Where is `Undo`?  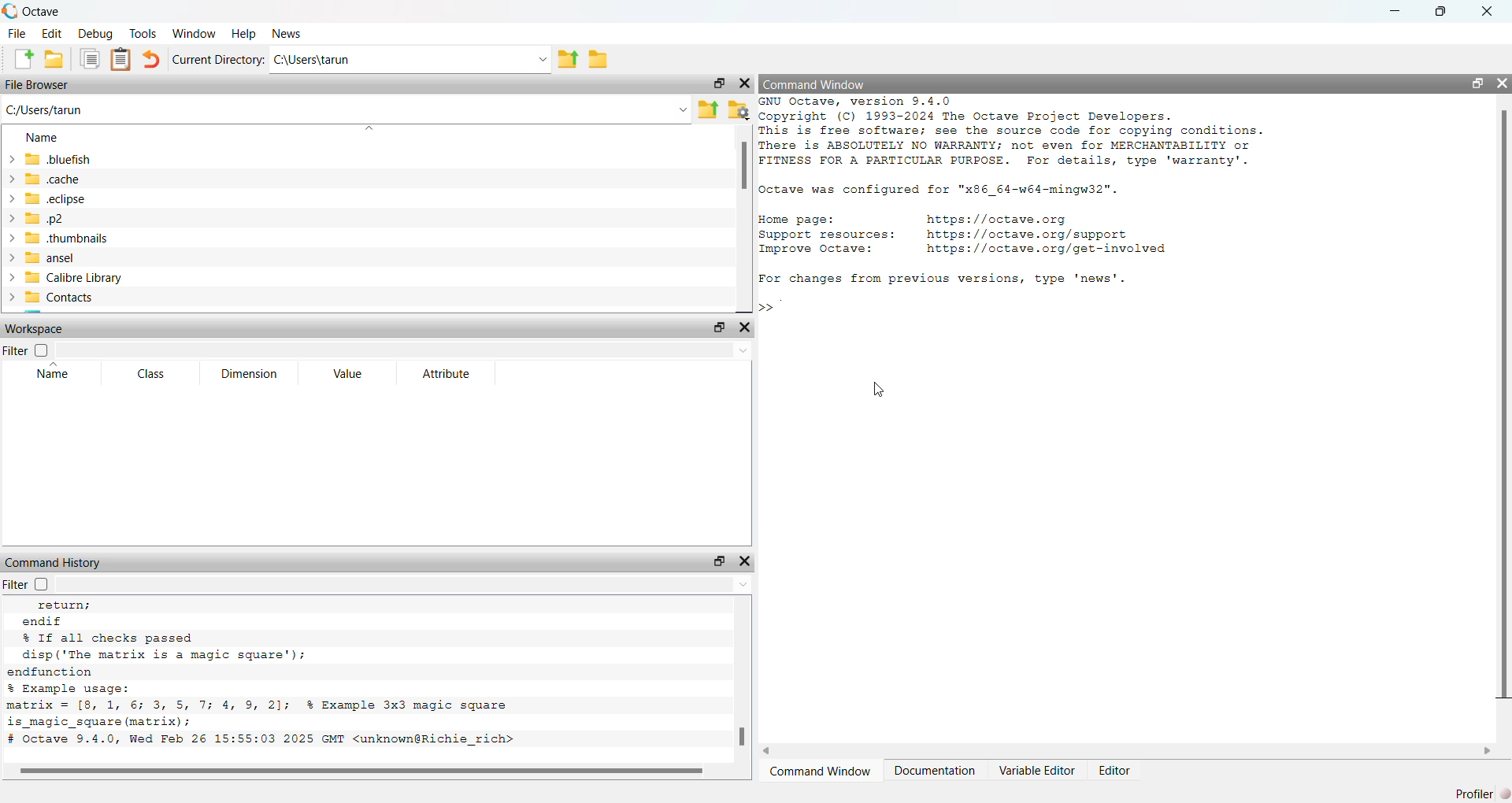
Undo is located at coordinates (150, 59).